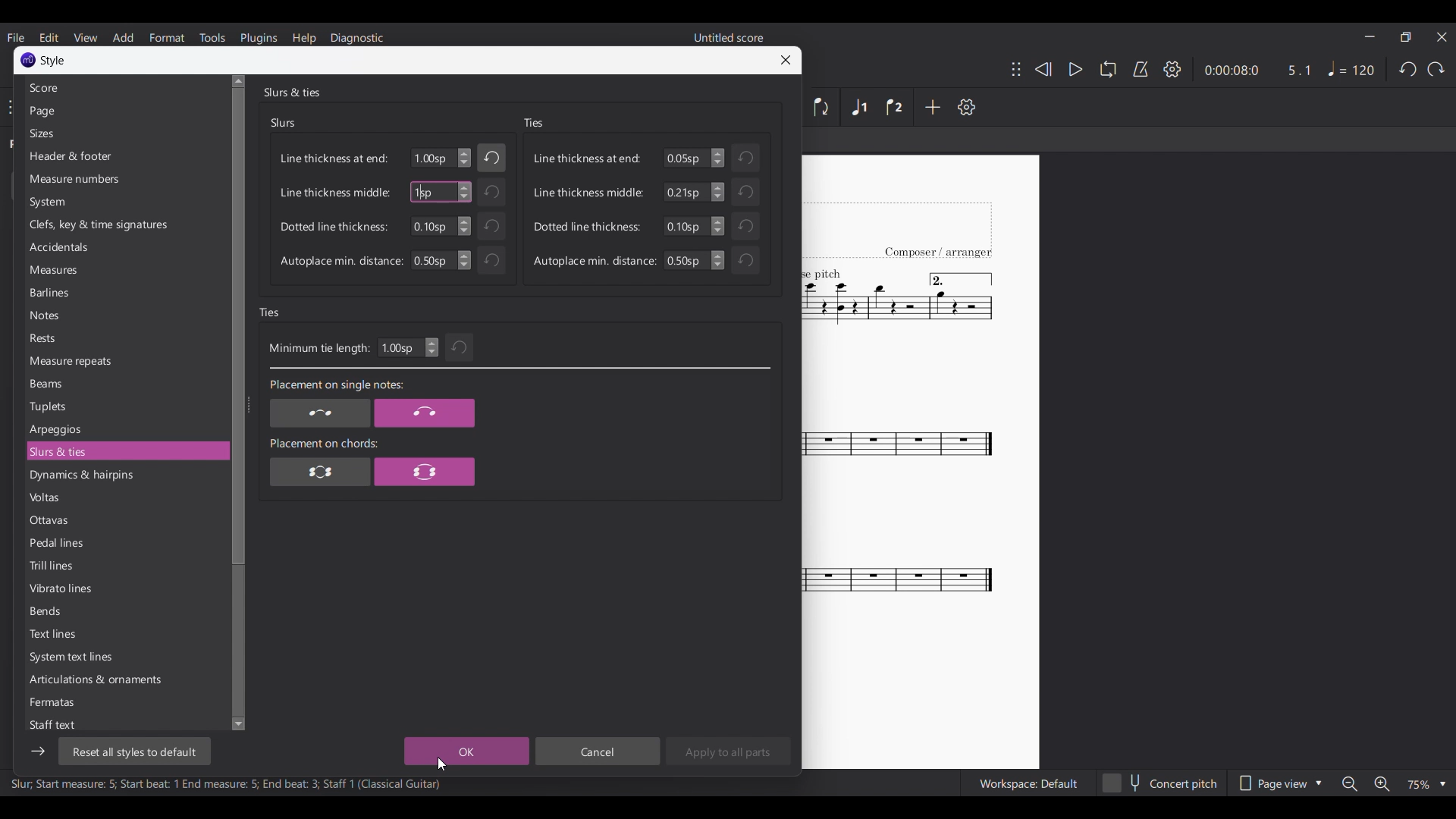 The image size is (1456, 819). Describe the element at coordinates (933, 107) in the screenshot. I see `Add` at that location.